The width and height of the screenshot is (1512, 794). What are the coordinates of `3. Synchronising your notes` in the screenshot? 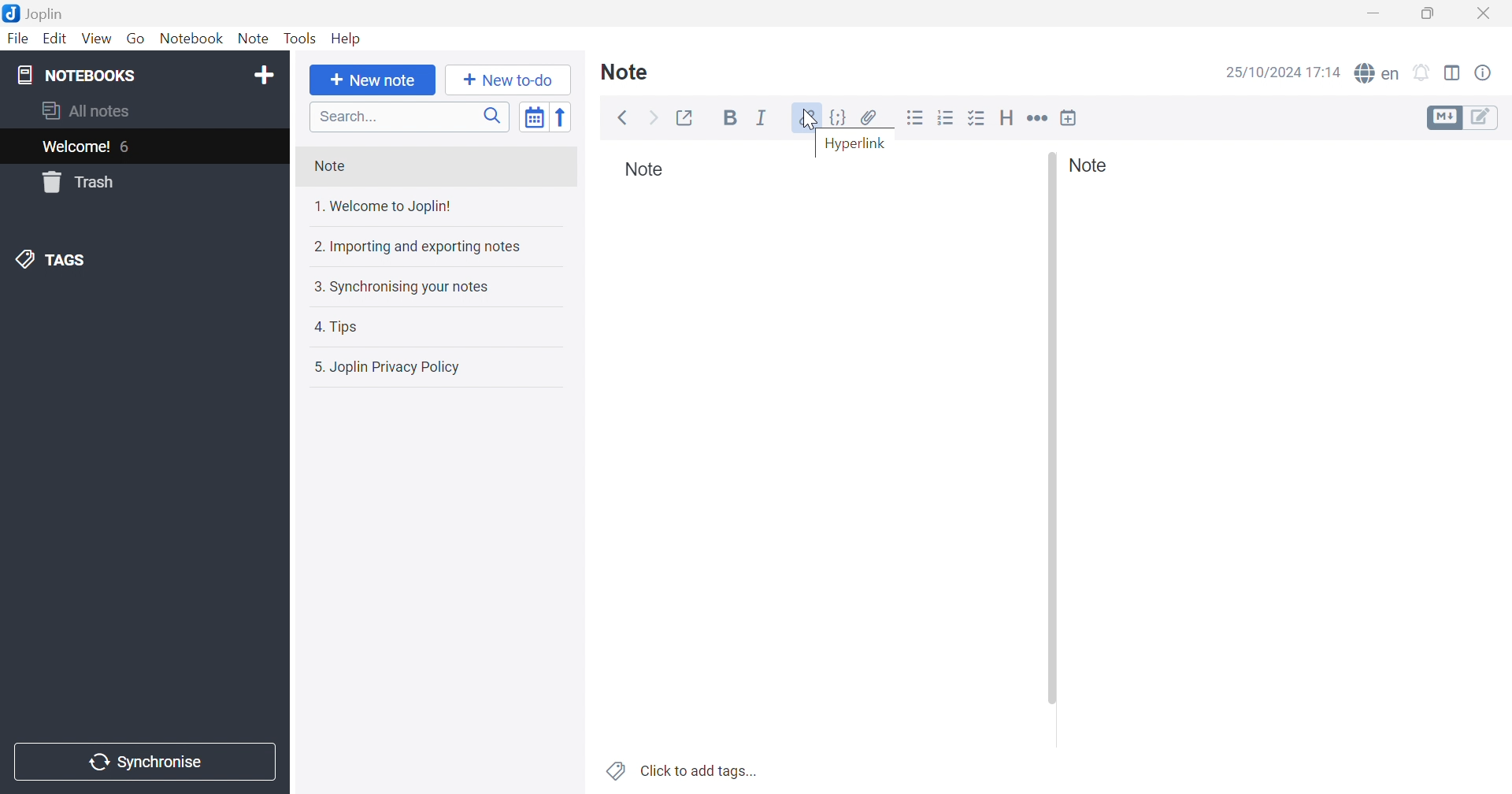 It's located at (431, 286).